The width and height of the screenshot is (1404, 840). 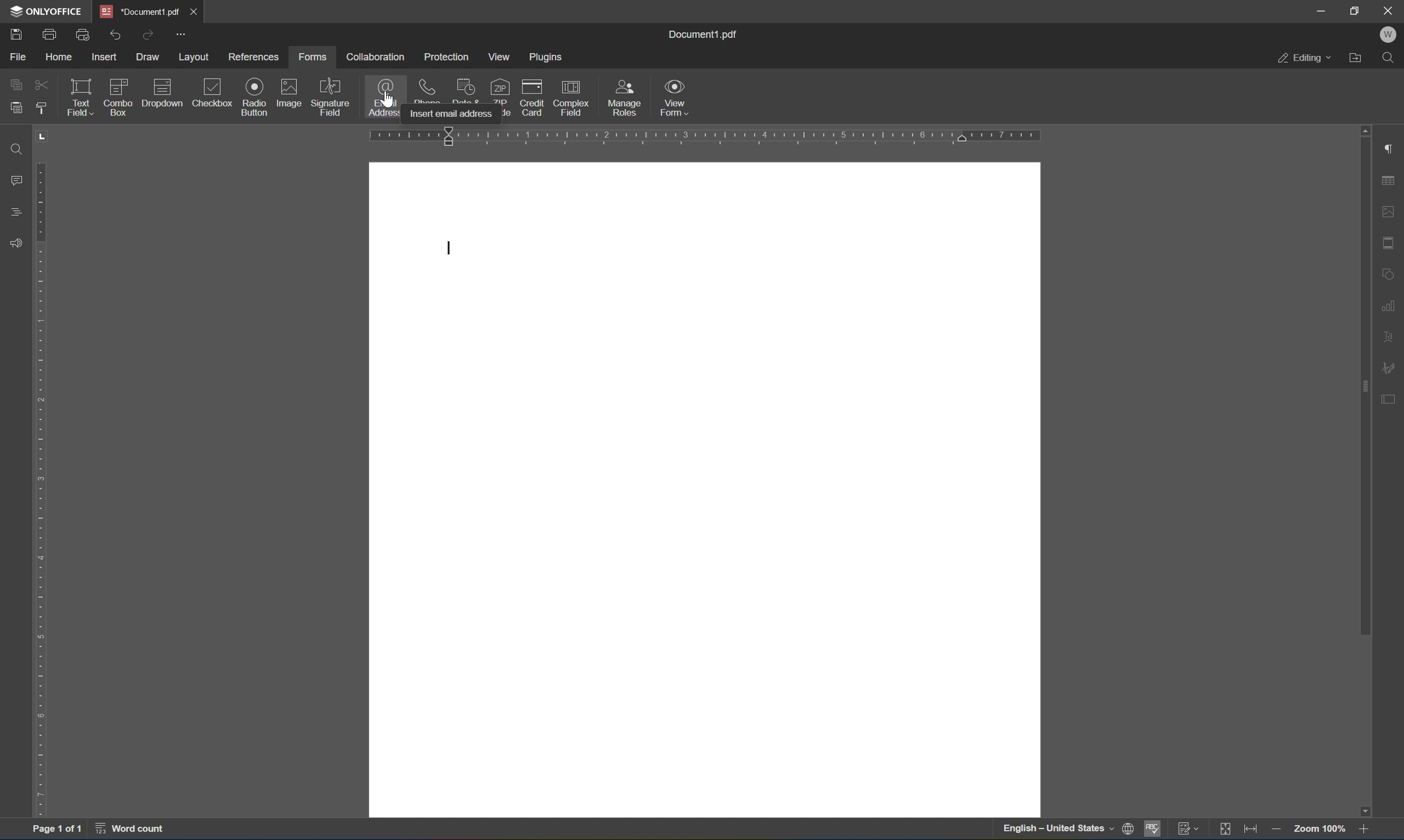 What do you see at coordinates (1354, 12) in the screenshot?
I see `restore down` at bounding box center [1354, 12].